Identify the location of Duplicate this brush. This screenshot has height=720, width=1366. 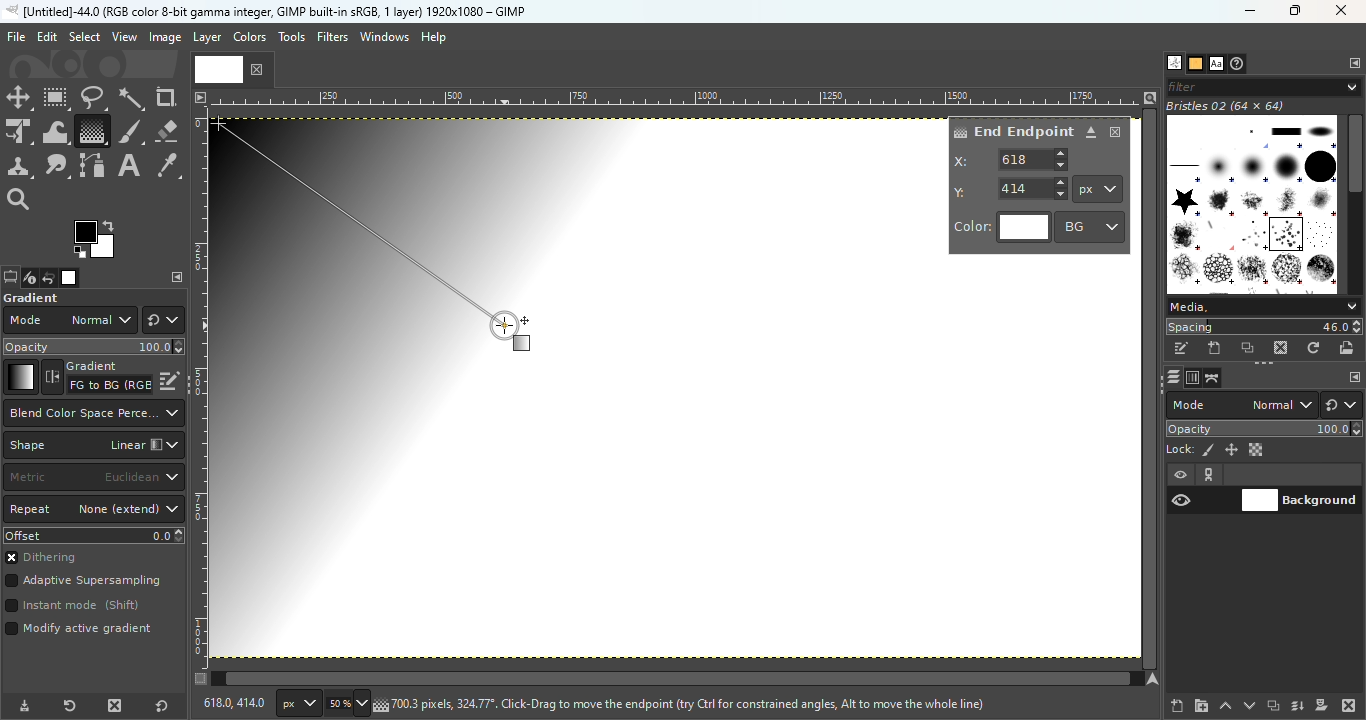
(1249, 348).